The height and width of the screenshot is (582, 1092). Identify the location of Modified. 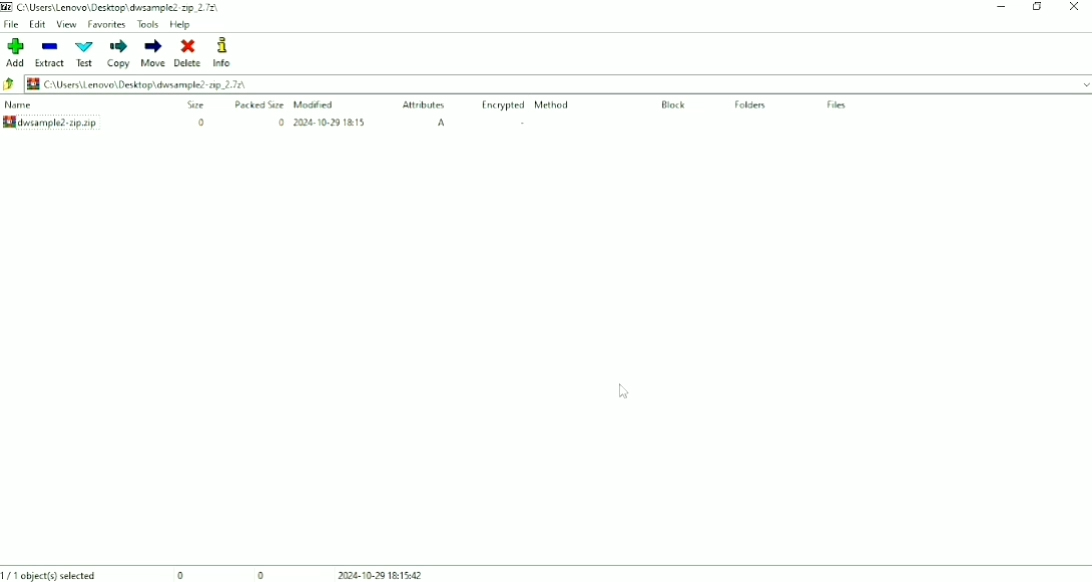
(317, 104).